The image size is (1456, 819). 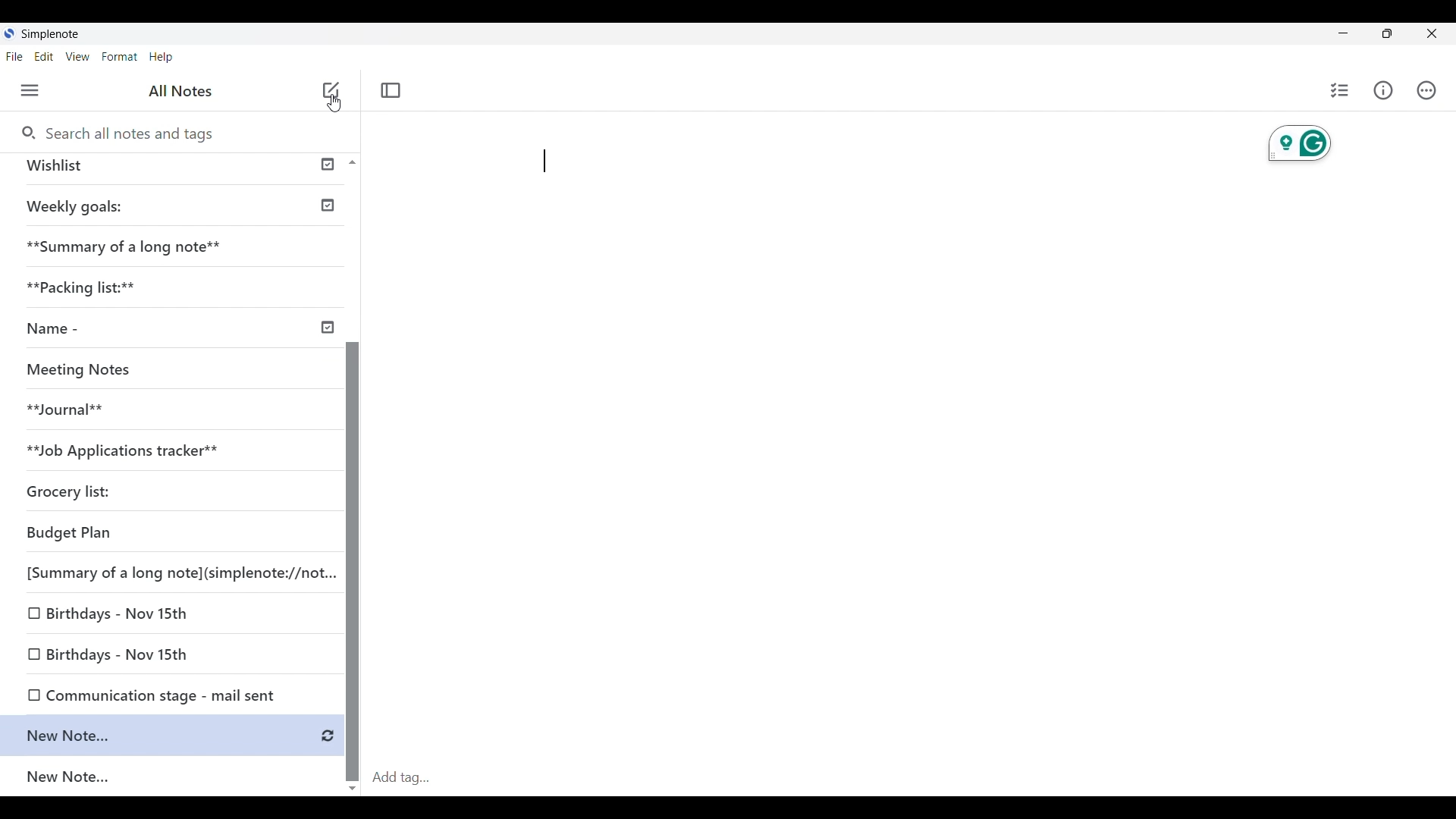 I want to click on 0 Birthdays - Nov 15th, so click(x=106, y=656).